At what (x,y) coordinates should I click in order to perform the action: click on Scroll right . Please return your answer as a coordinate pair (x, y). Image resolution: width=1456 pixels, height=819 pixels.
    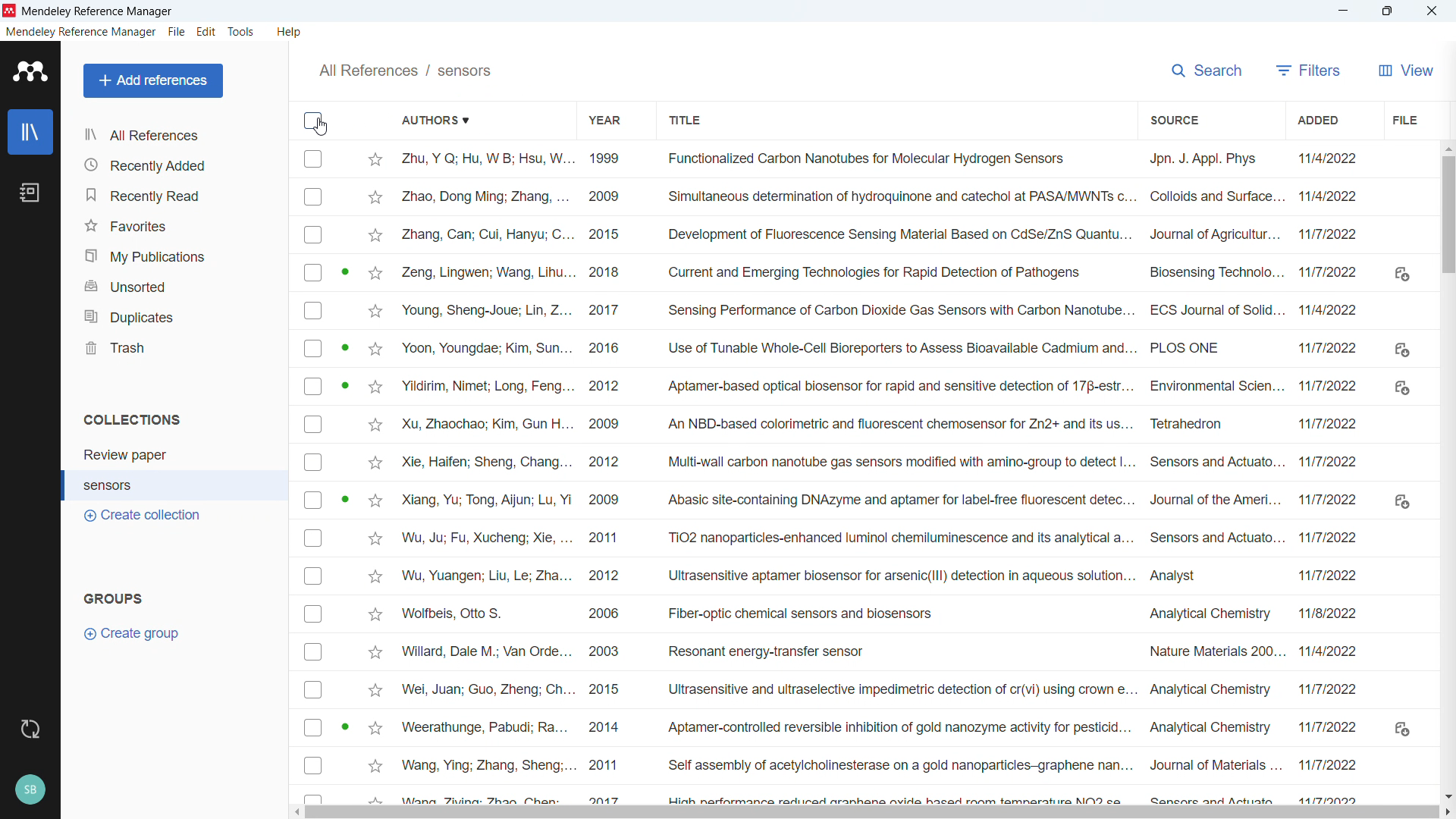
    Looking at the image, I should click on (1447, 813).